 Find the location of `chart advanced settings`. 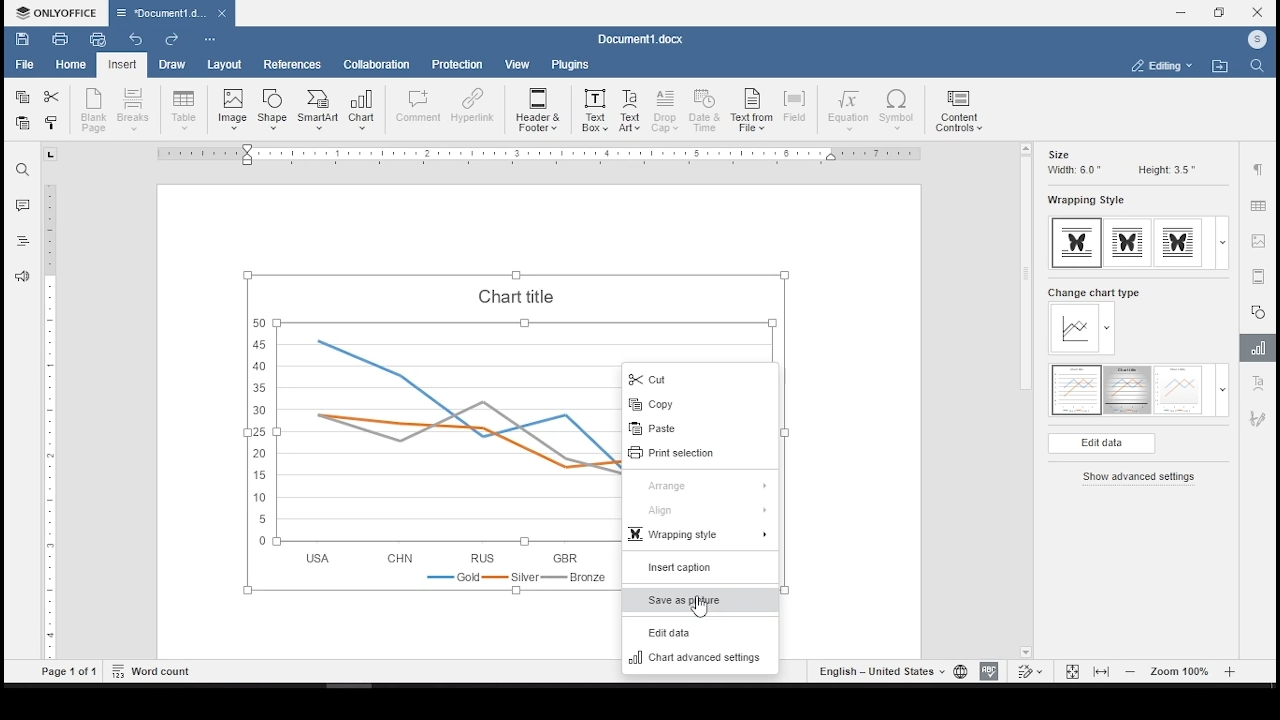

chart advanced settings is located at coordinates (701, 660).